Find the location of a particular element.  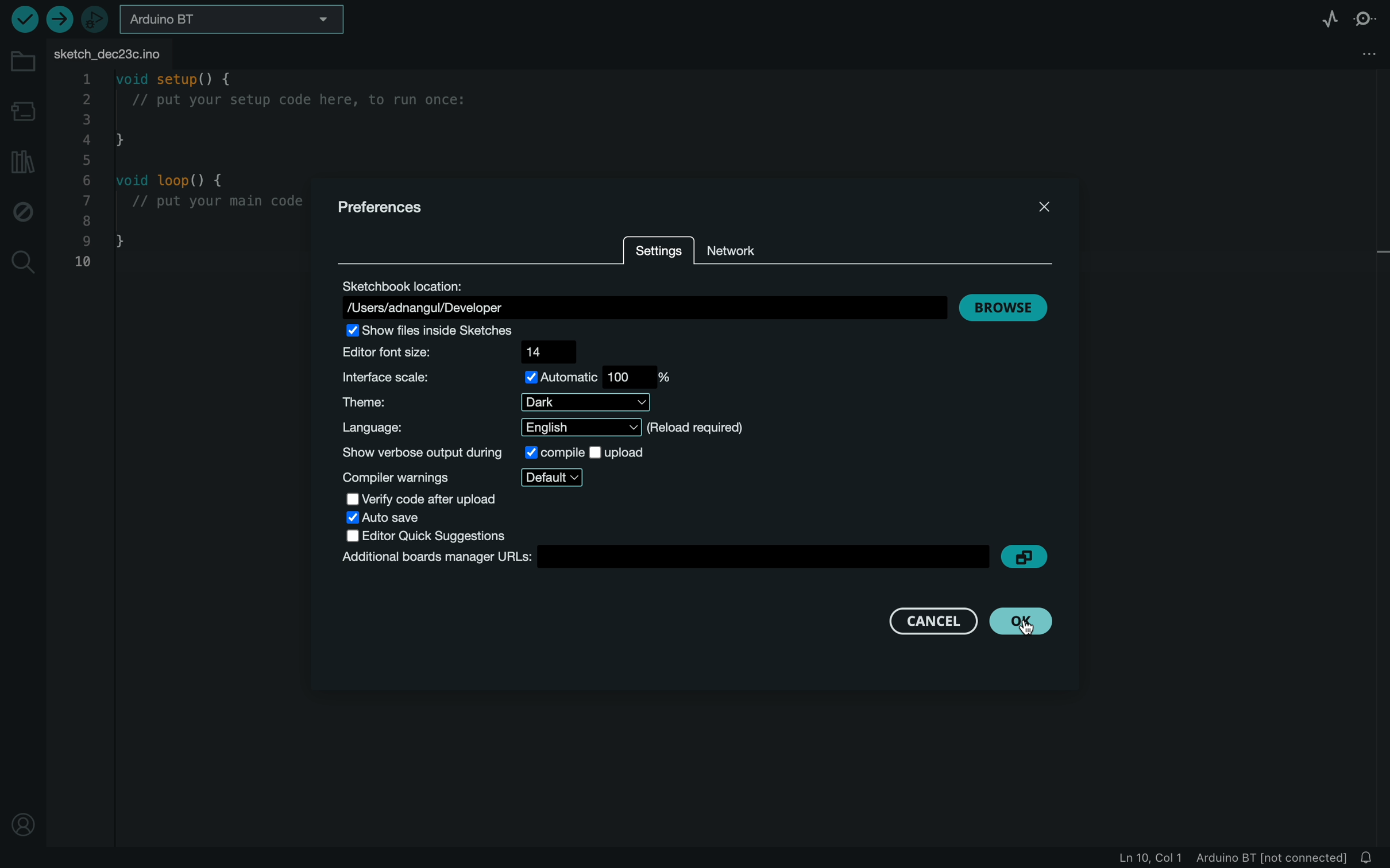

preferences is located at coordinates (391, 210).